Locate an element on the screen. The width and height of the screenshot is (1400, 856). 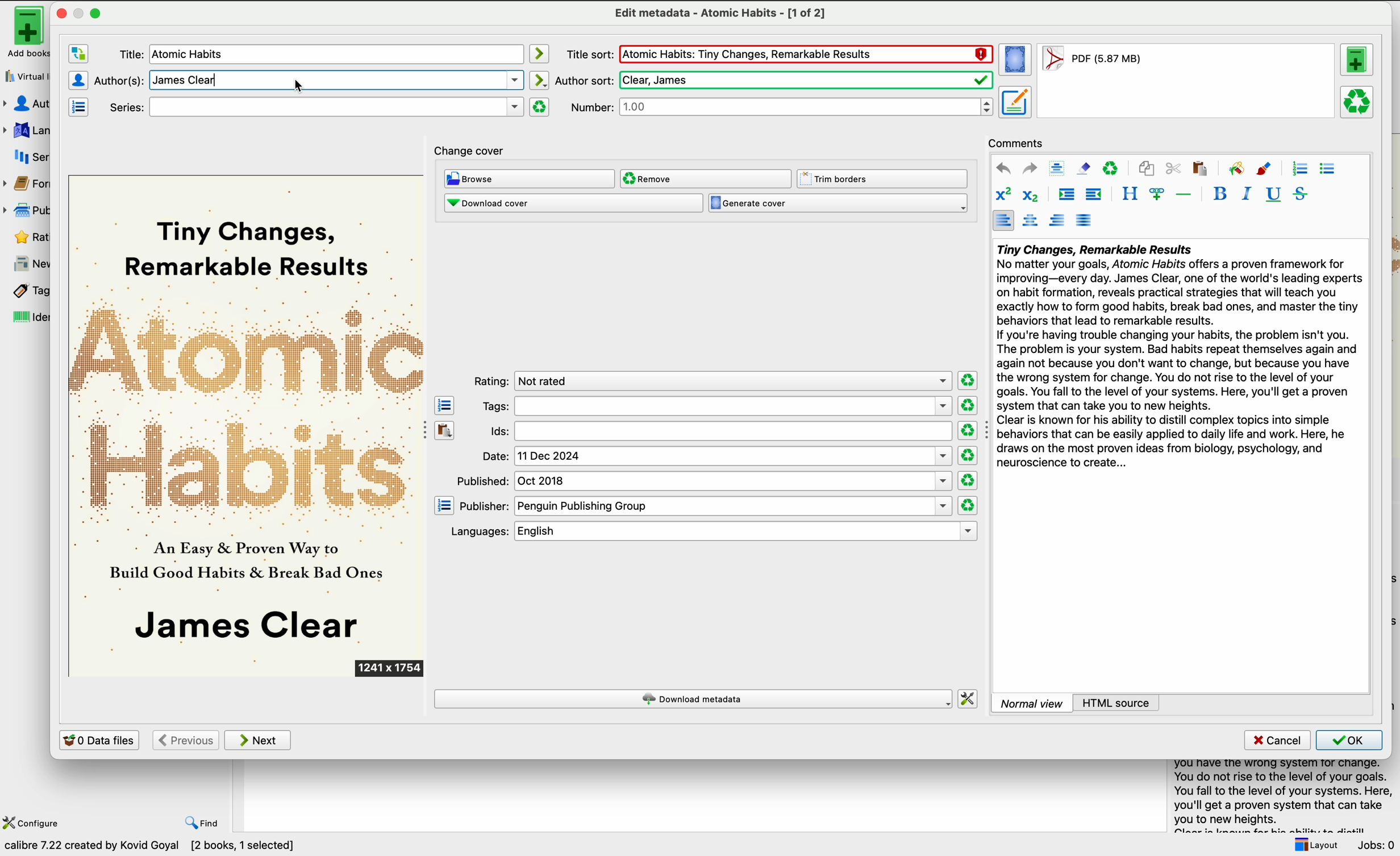
tags is located at coordinates (715, 406).